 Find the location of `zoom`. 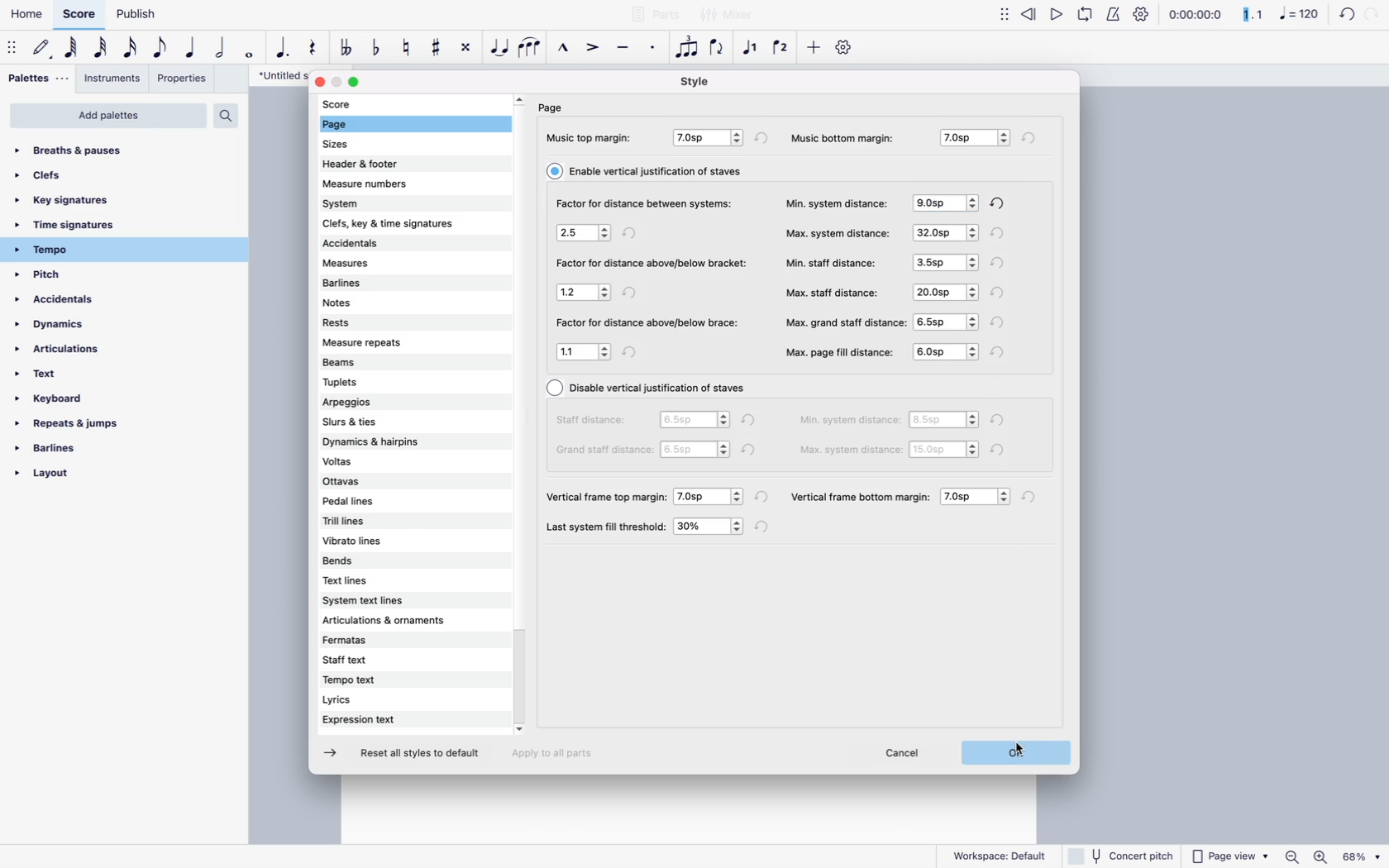

zoom is located at coordinates (1331, 857).